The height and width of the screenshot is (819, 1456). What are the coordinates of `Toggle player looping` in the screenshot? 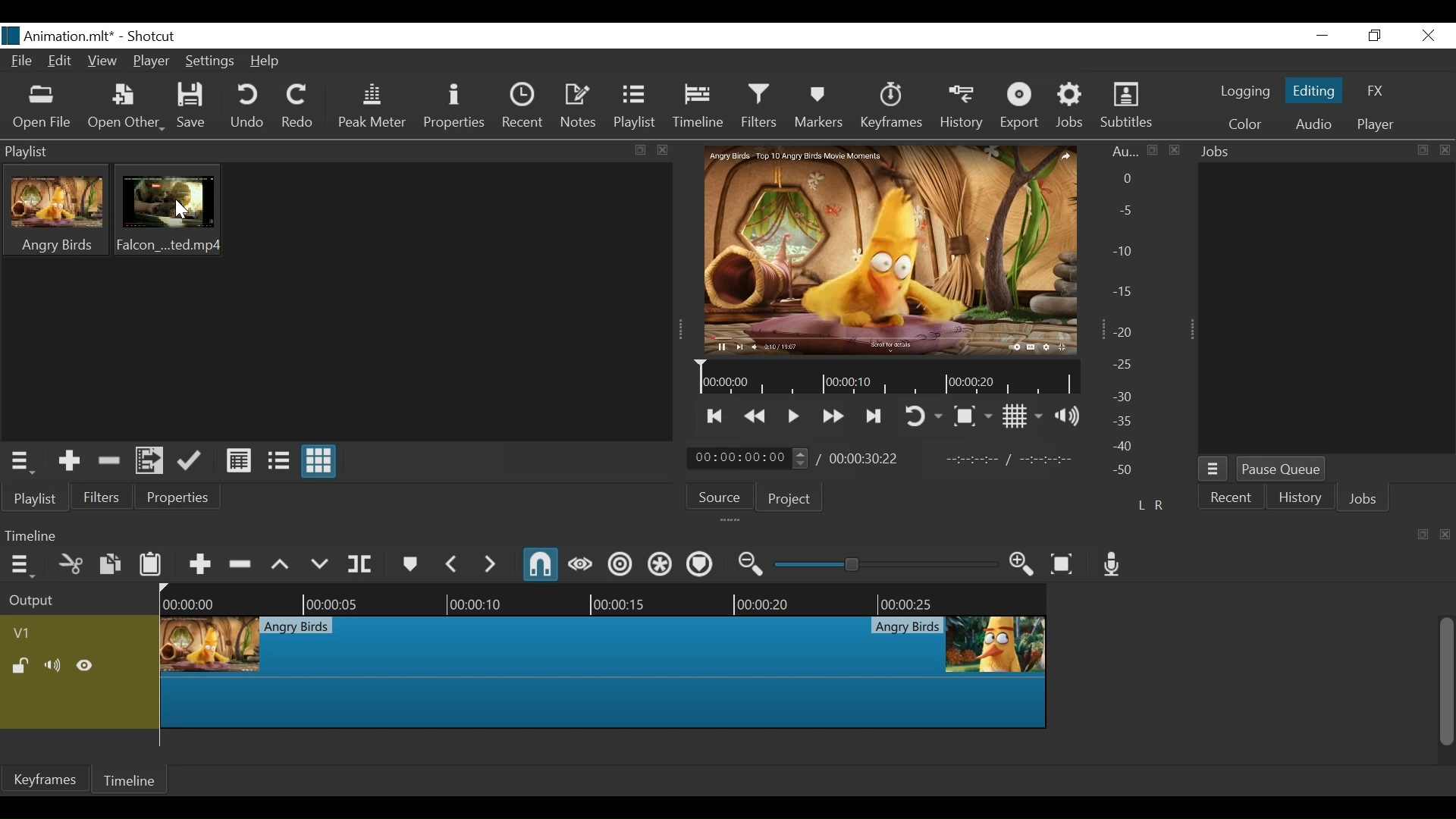 It's located at (922, 418).